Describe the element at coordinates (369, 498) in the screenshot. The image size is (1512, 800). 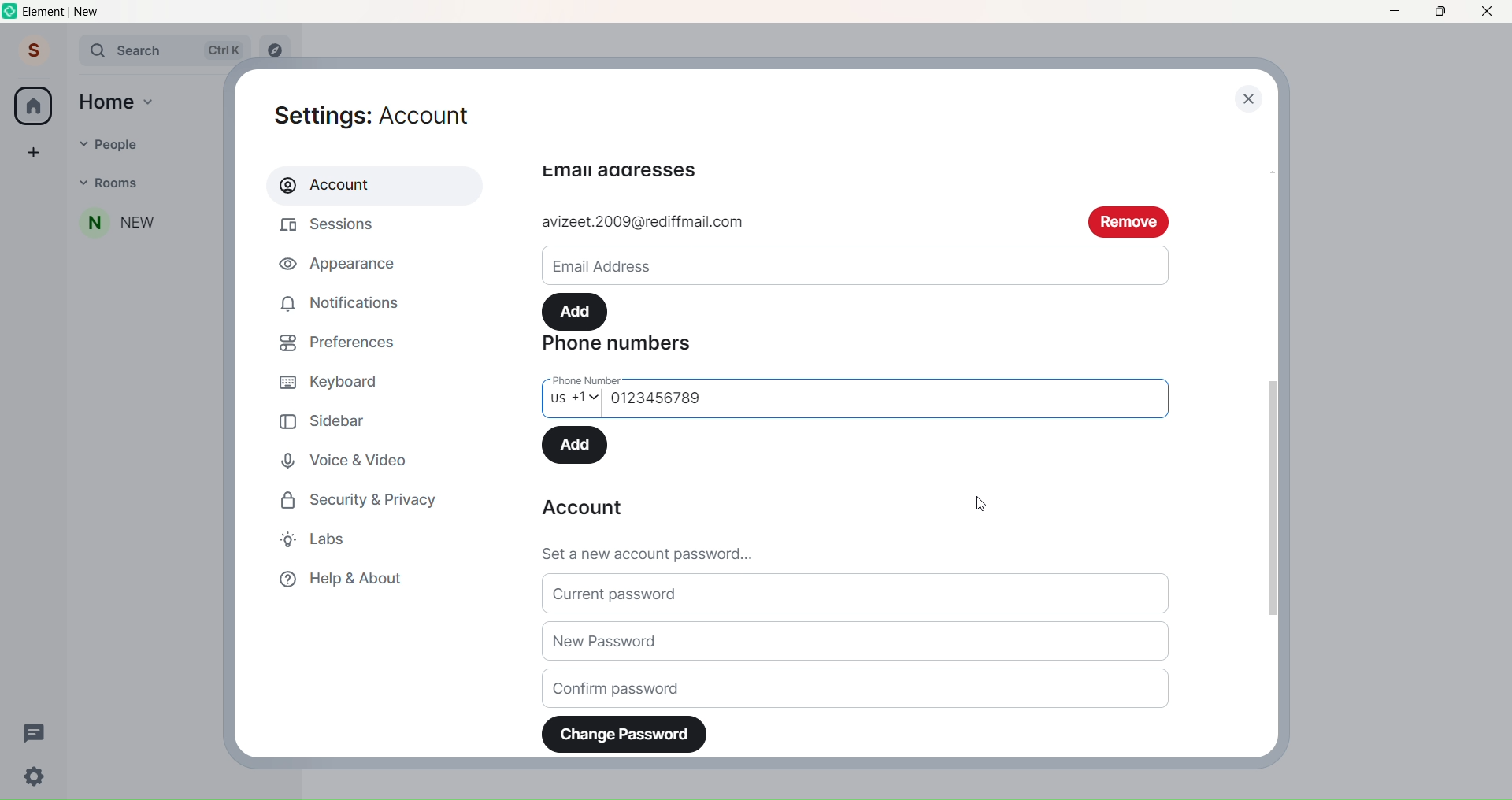
I see `Security and Privacy` at that location.